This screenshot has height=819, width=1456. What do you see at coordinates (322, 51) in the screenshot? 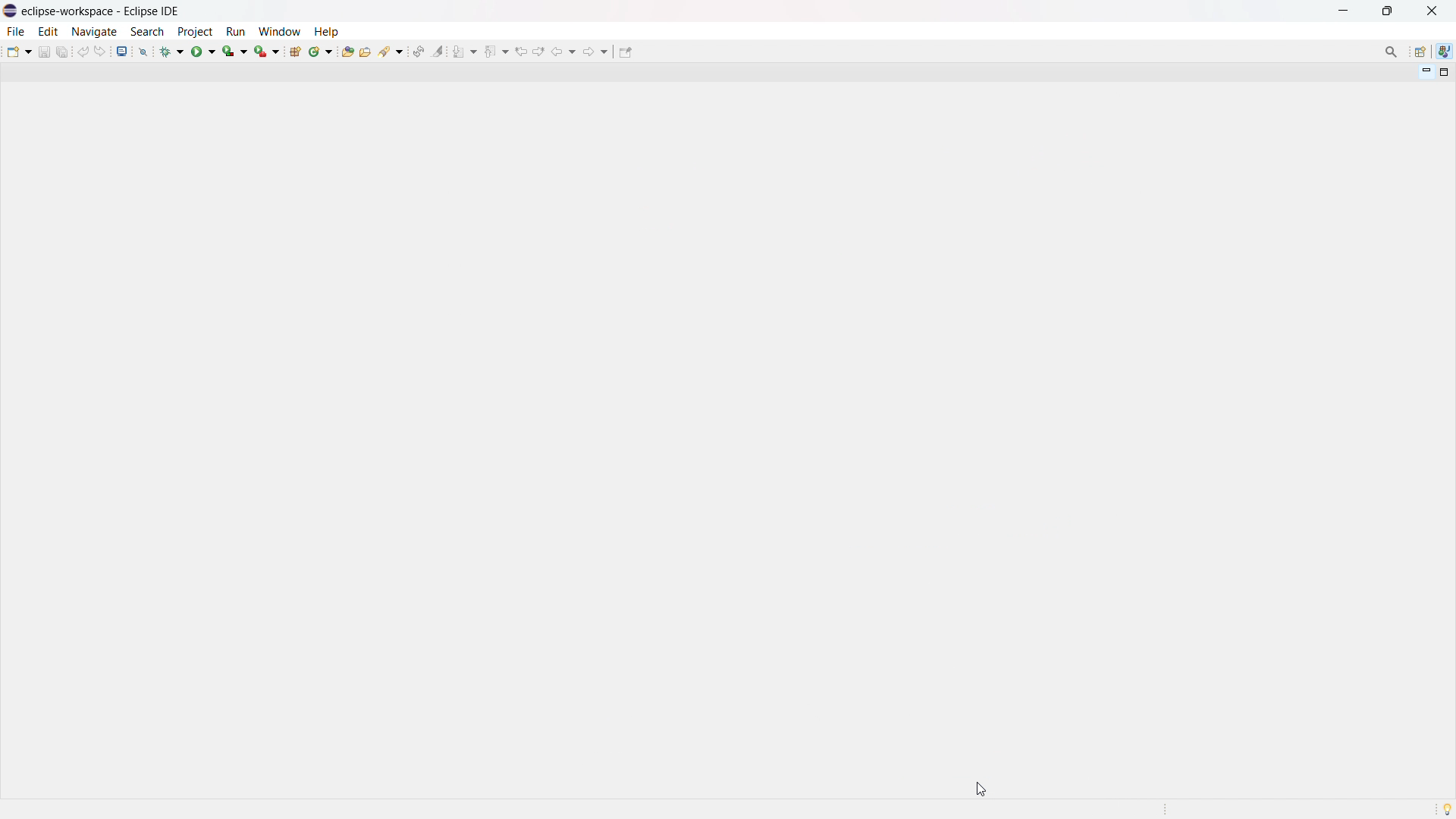
I see `new java class` at bounding box center [322, 51].